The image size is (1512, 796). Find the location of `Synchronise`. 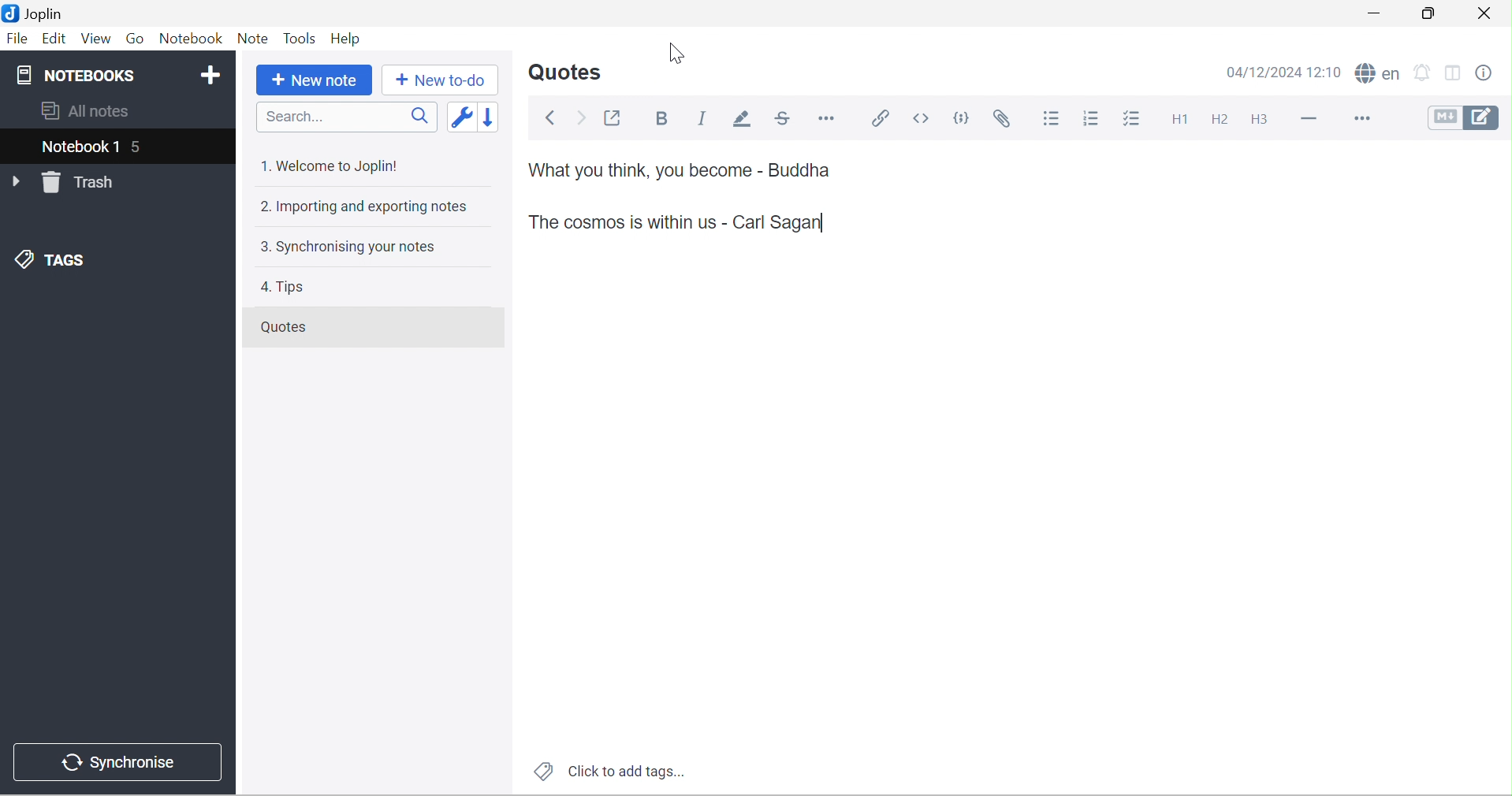

Synchronise is located at coordinates (122, 764).